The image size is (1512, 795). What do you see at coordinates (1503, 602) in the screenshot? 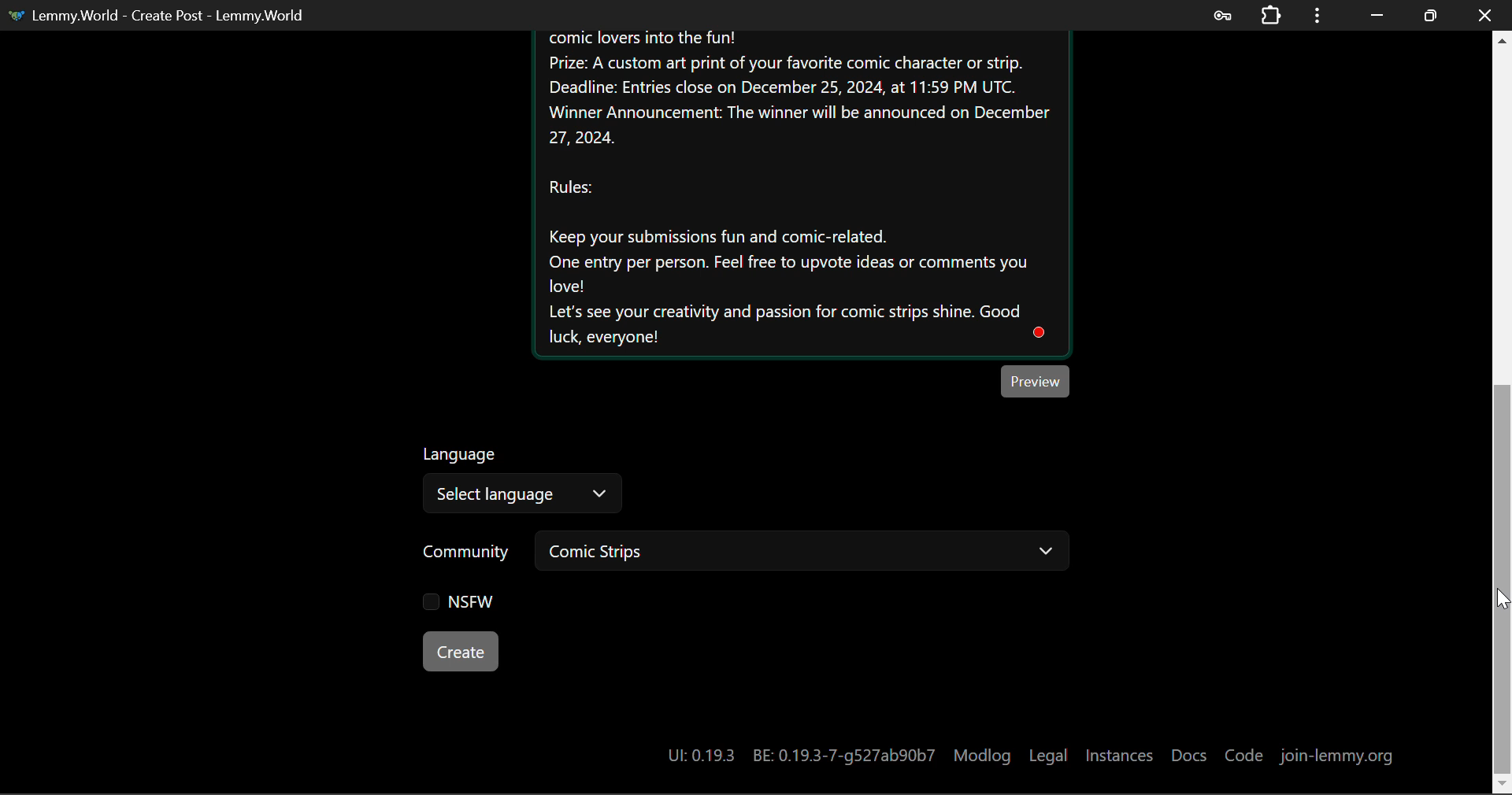
I see `MOUSE_UP Cursor Position` at bounding box center [1503, 602].